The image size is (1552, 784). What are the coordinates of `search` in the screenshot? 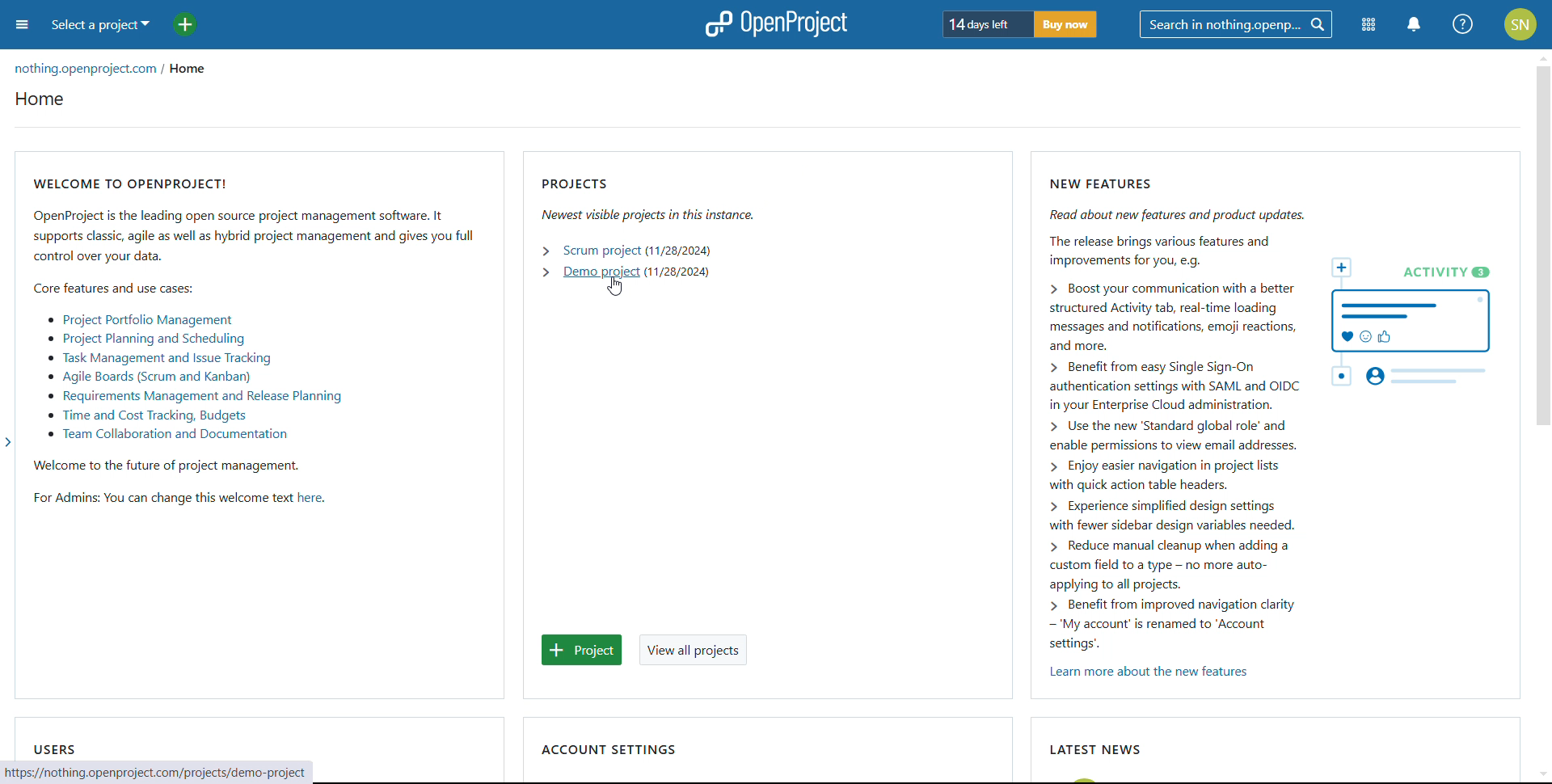 It's located at (1235, 25).